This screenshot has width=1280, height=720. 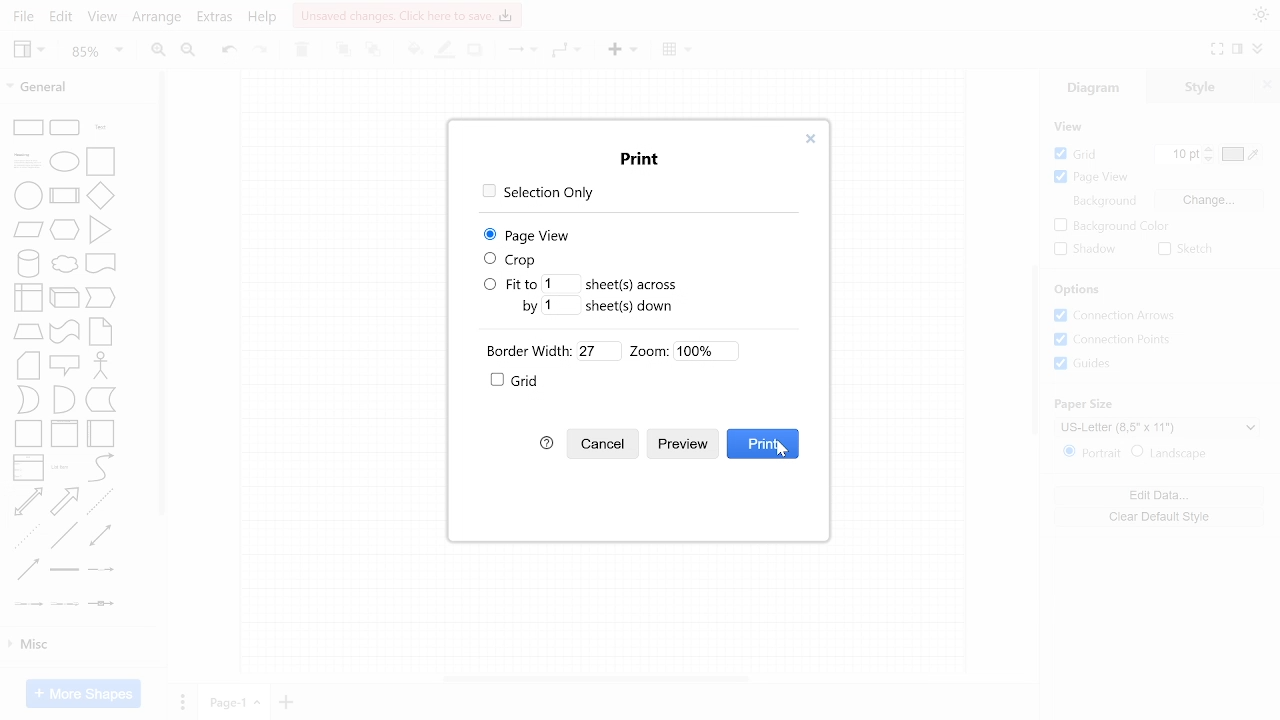 I want to click on Arrange, so click(x=158, y=19).